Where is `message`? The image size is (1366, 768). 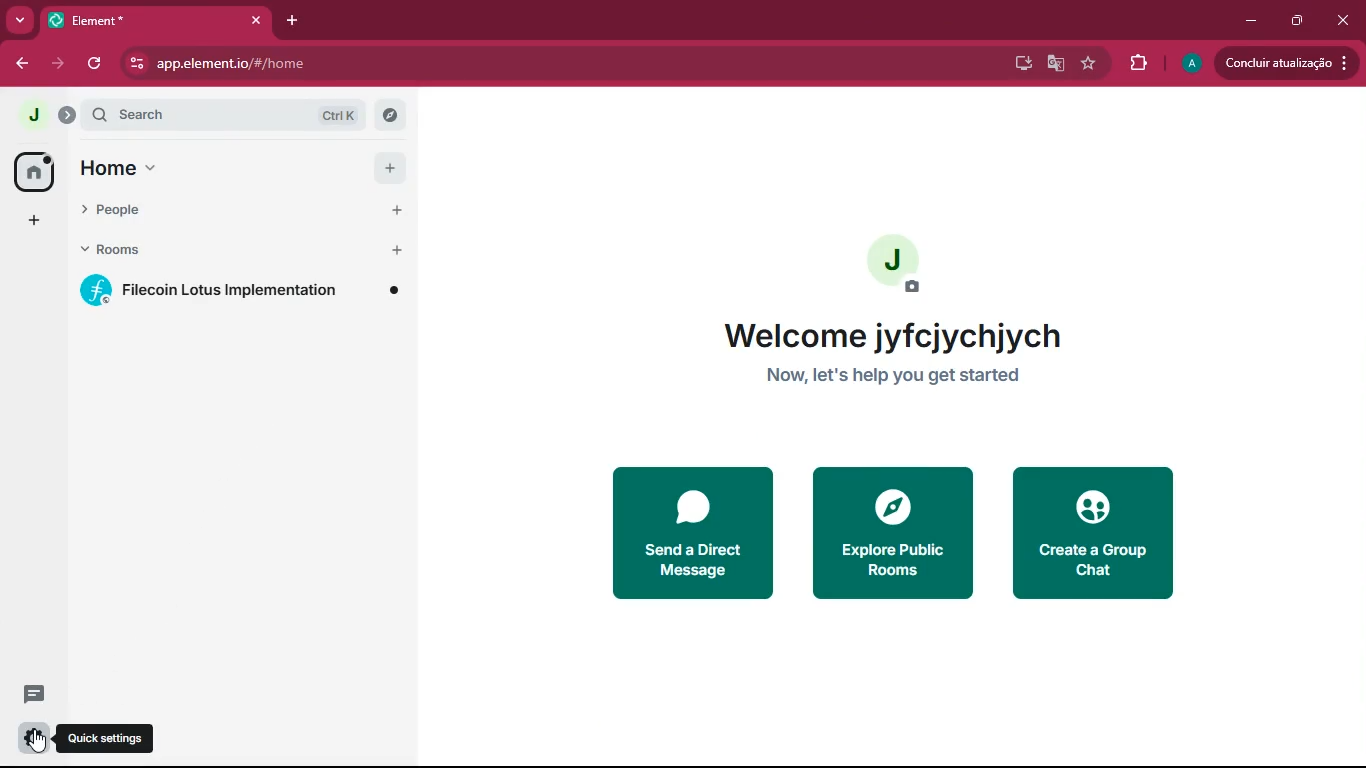 message is located at coordinates (32, 694).